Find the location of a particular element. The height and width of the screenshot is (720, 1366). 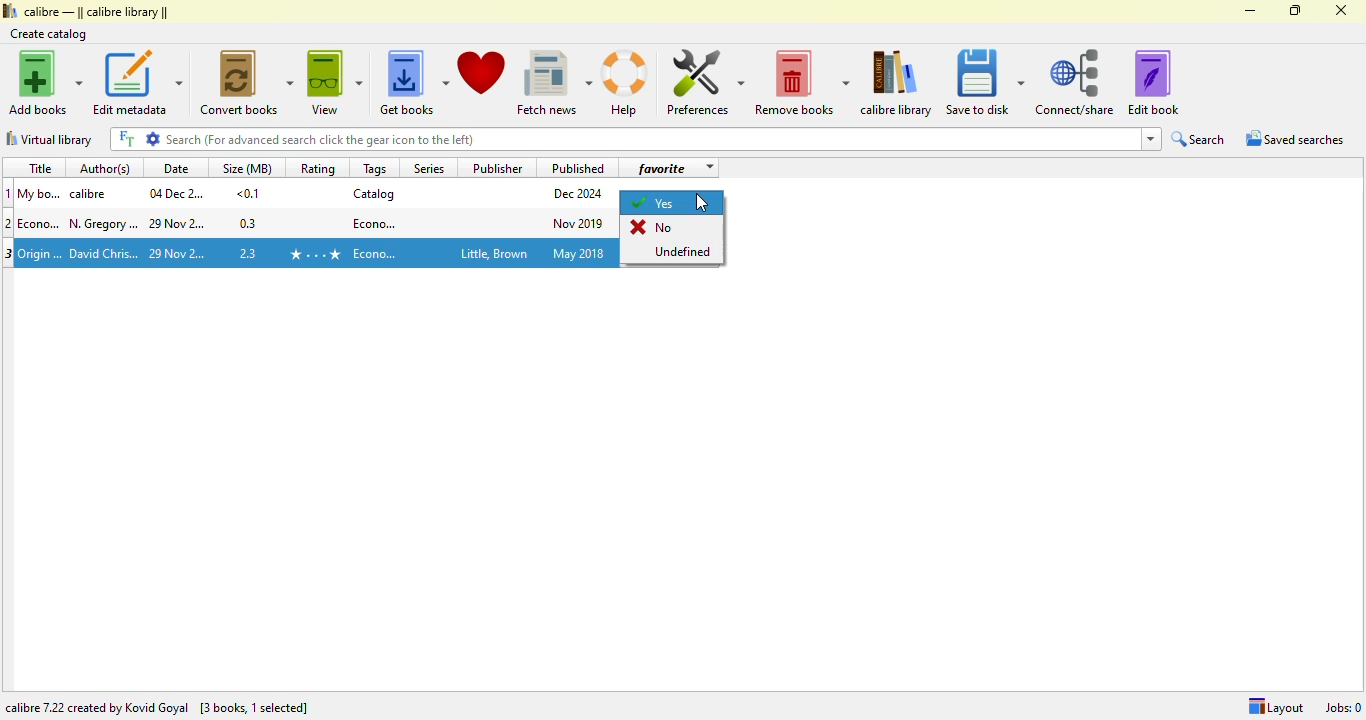

tags is located at coordinates (375, 168).